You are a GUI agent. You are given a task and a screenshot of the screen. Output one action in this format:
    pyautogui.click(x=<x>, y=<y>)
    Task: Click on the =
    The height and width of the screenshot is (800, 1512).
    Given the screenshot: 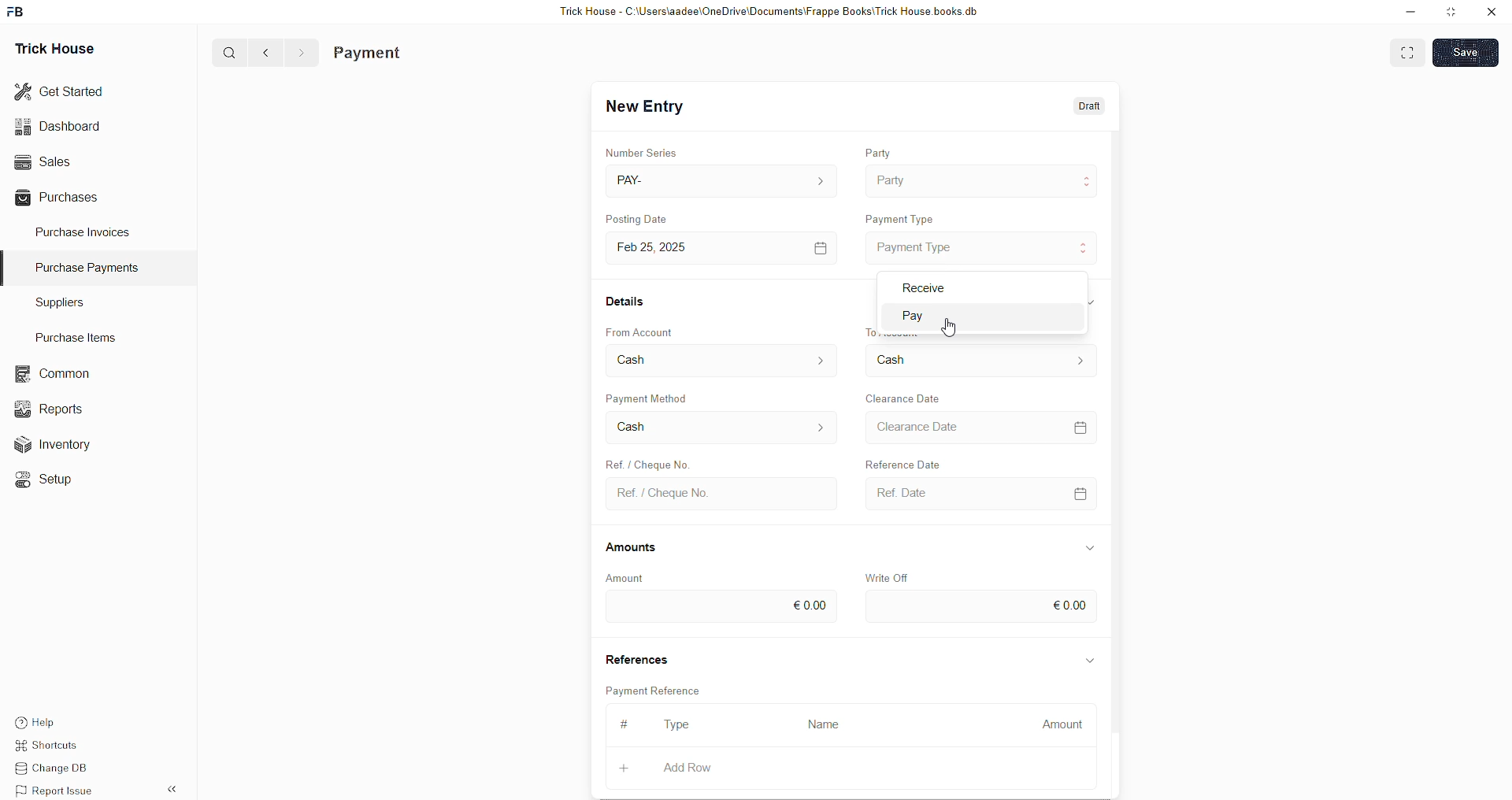 What is the action you would take?
    pyautogui.click(x=1084, y=425)
    